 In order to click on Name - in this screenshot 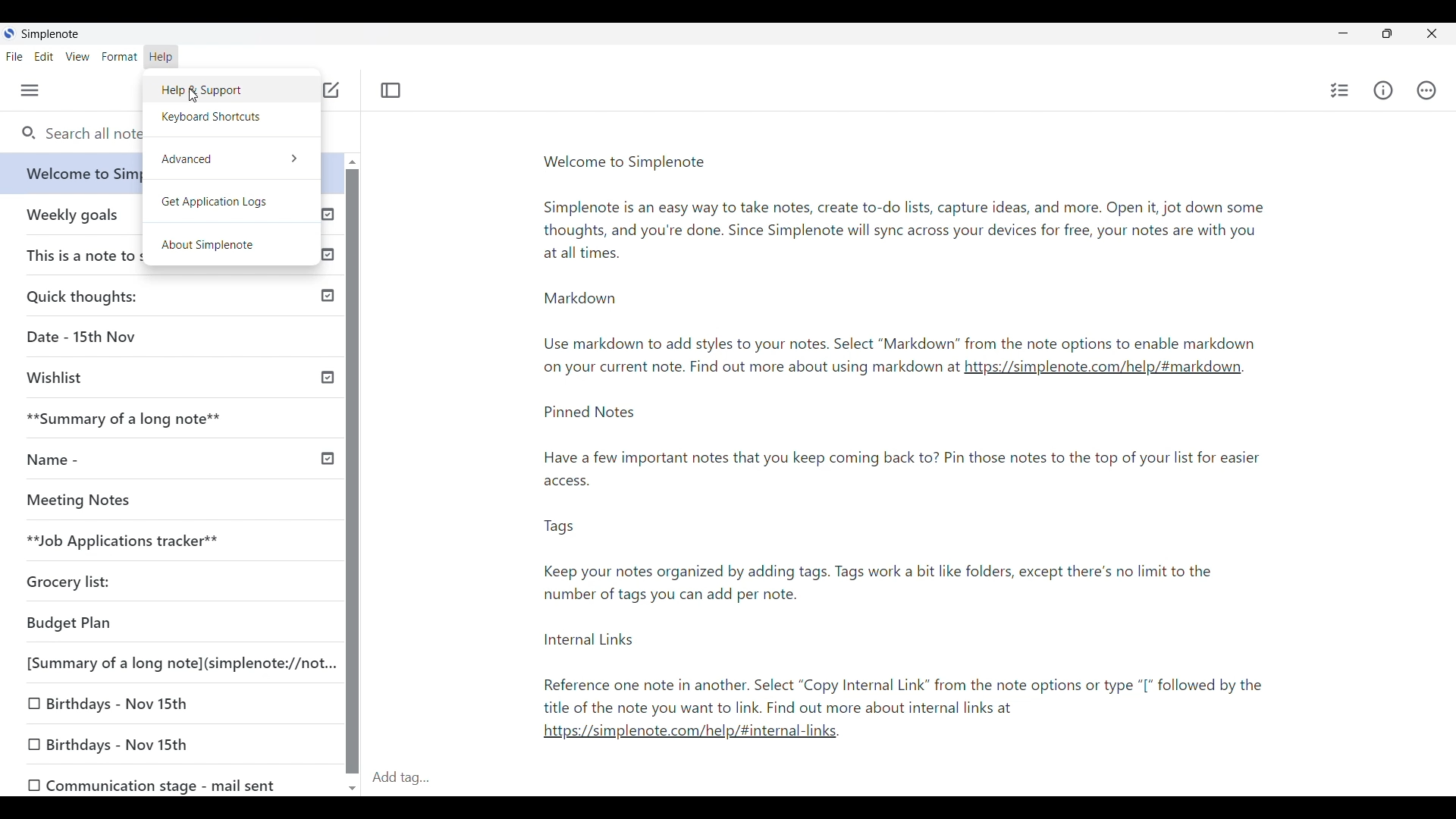, I will do `click(131, 453)`.